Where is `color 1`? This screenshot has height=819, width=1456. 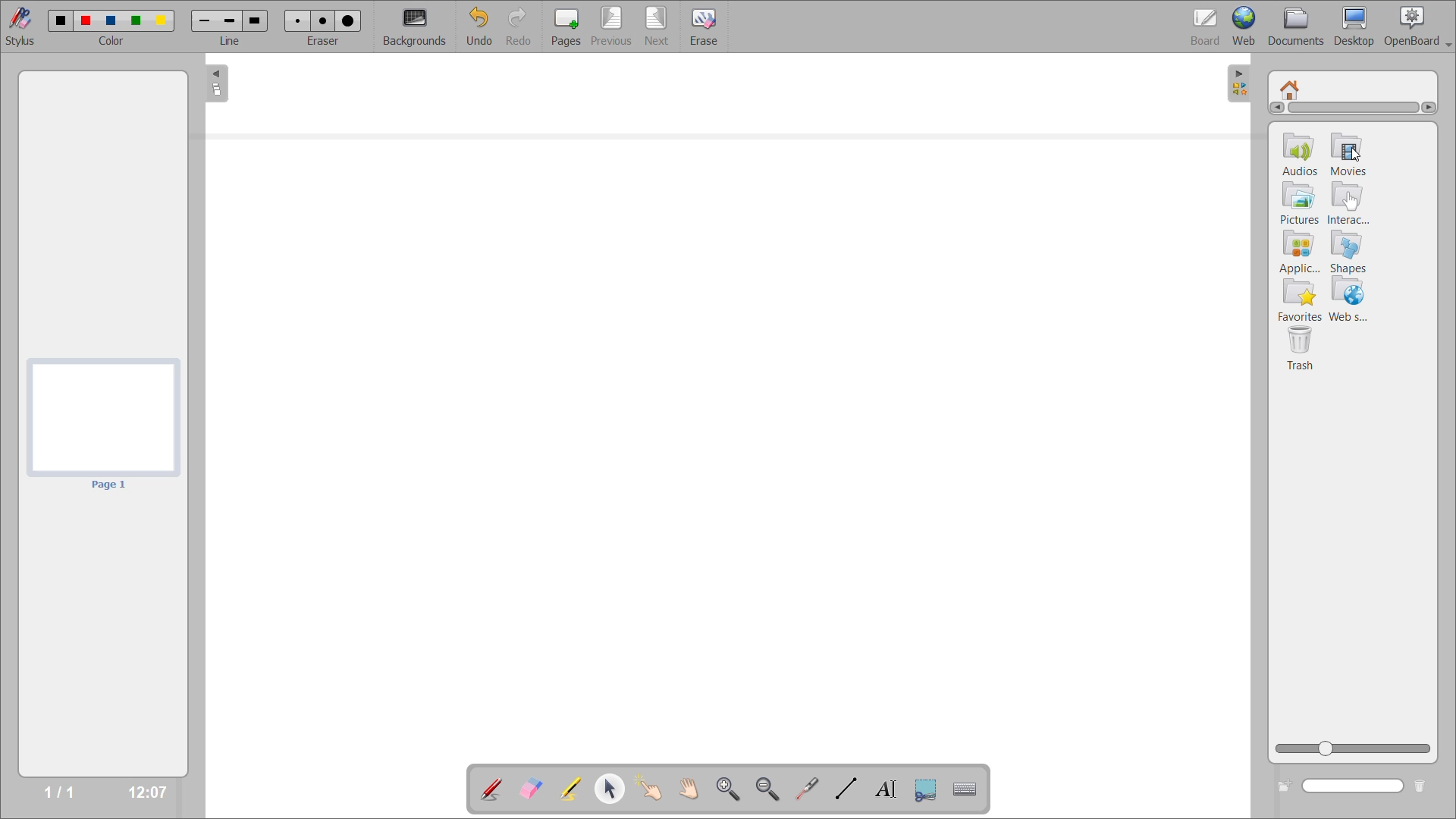
color 1 is located at coordinates (60, 20).